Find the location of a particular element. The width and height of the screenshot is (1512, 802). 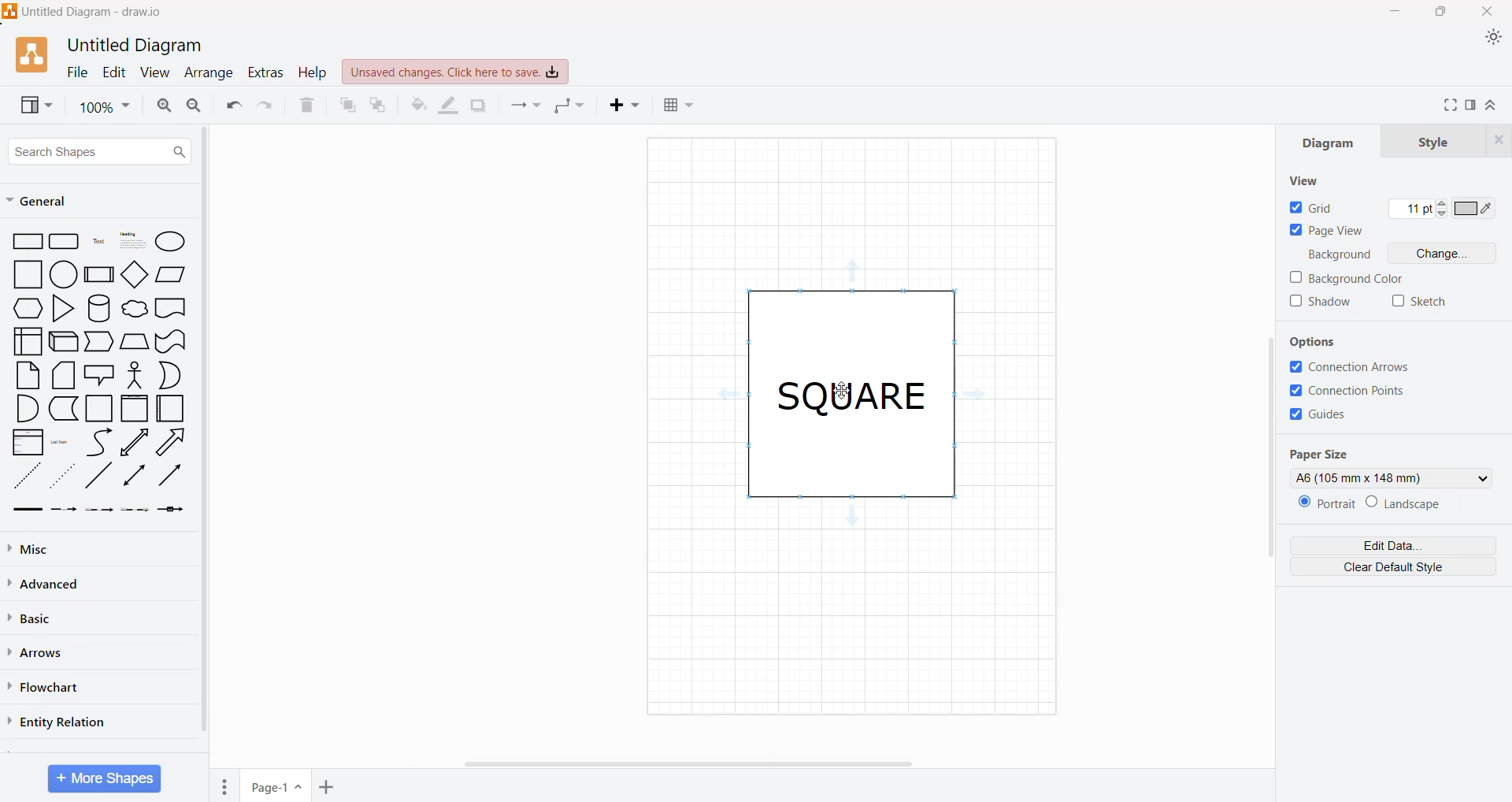

Triangle  is located at coordinates (62, 307).